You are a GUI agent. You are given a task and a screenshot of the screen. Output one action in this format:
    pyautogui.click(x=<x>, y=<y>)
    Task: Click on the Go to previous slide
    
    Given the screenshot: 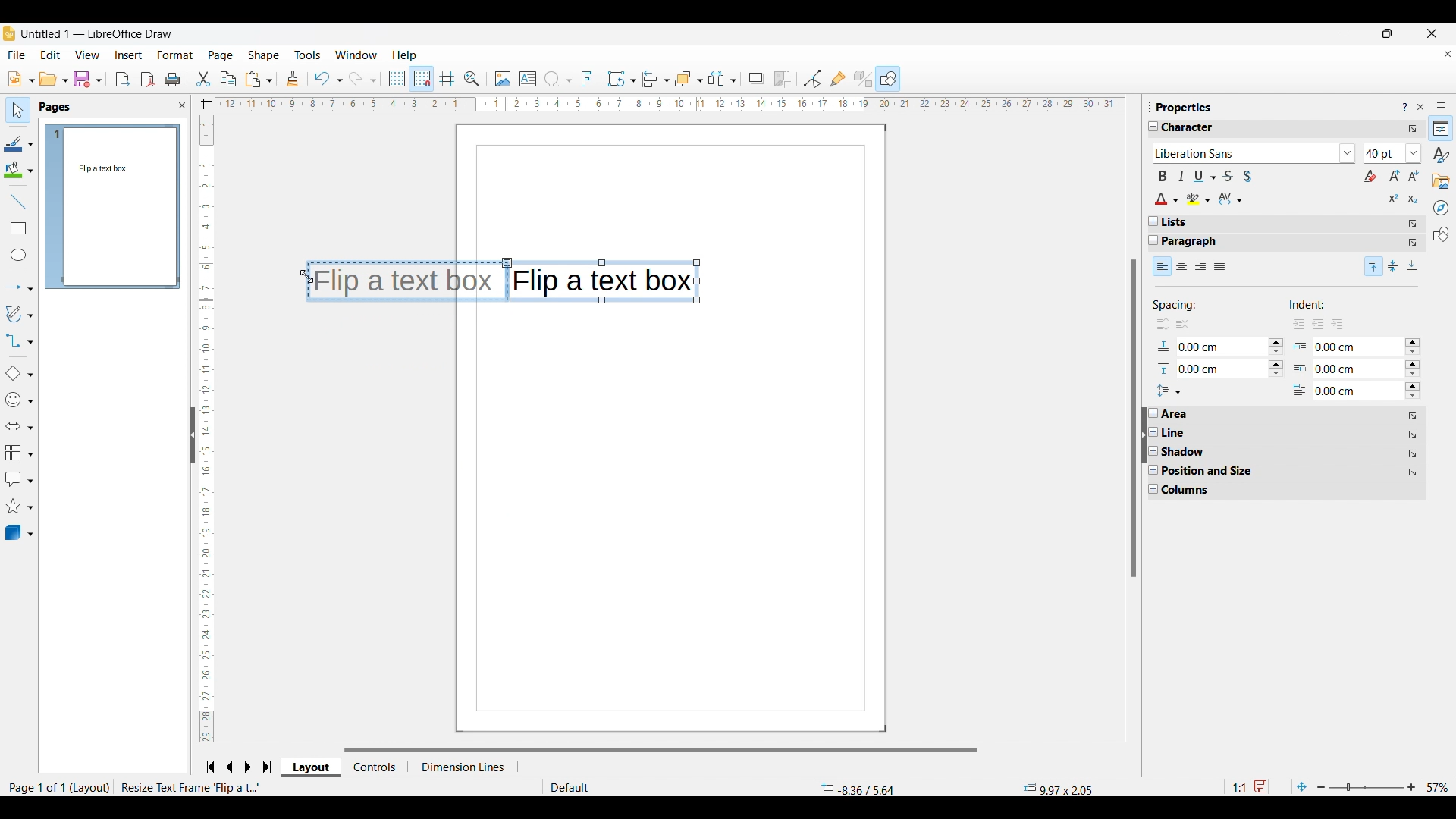 What is the action you would take?
    pyautogui.click(x=230, y=767)
    